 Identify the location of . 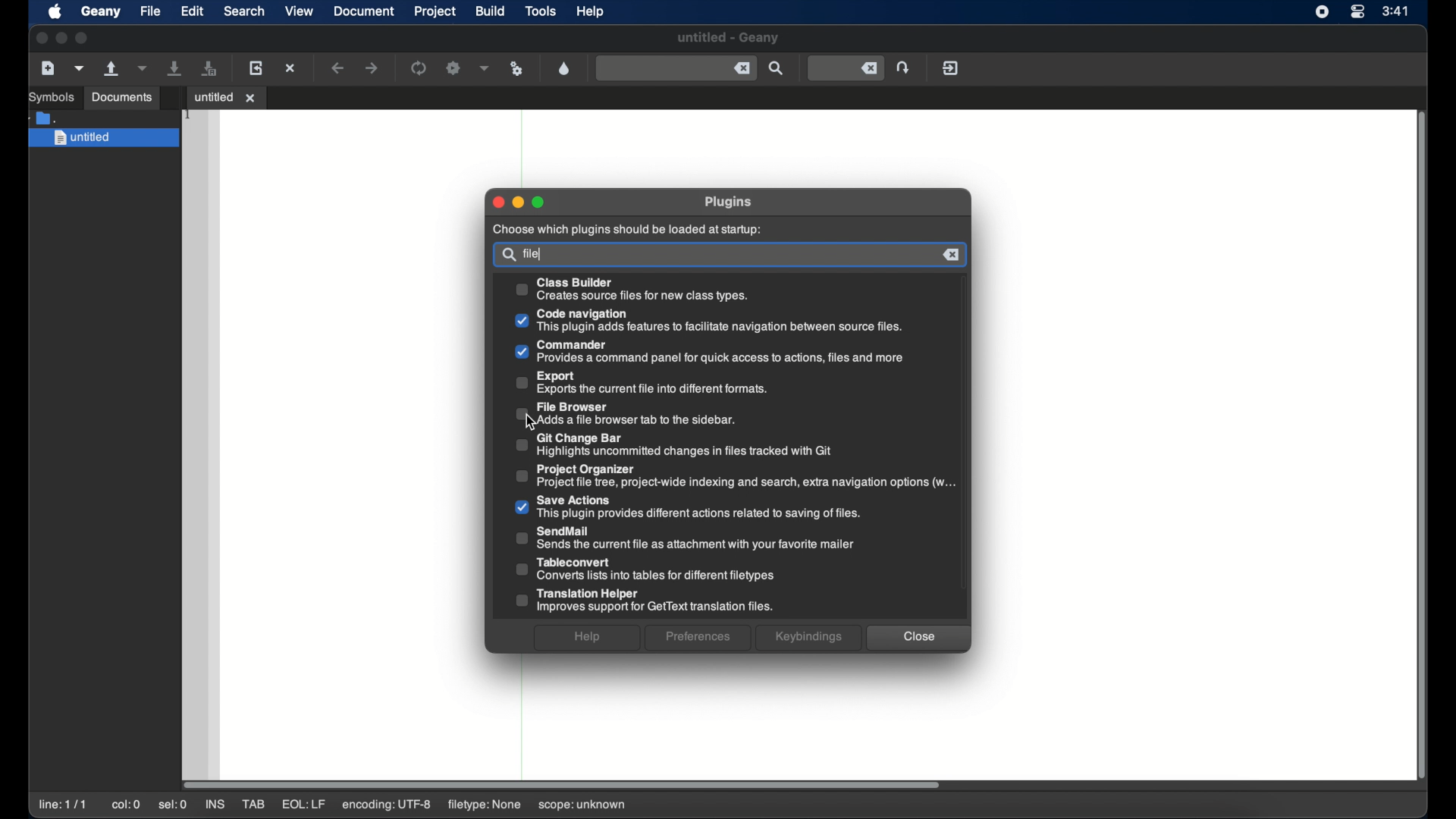
(708, 321).